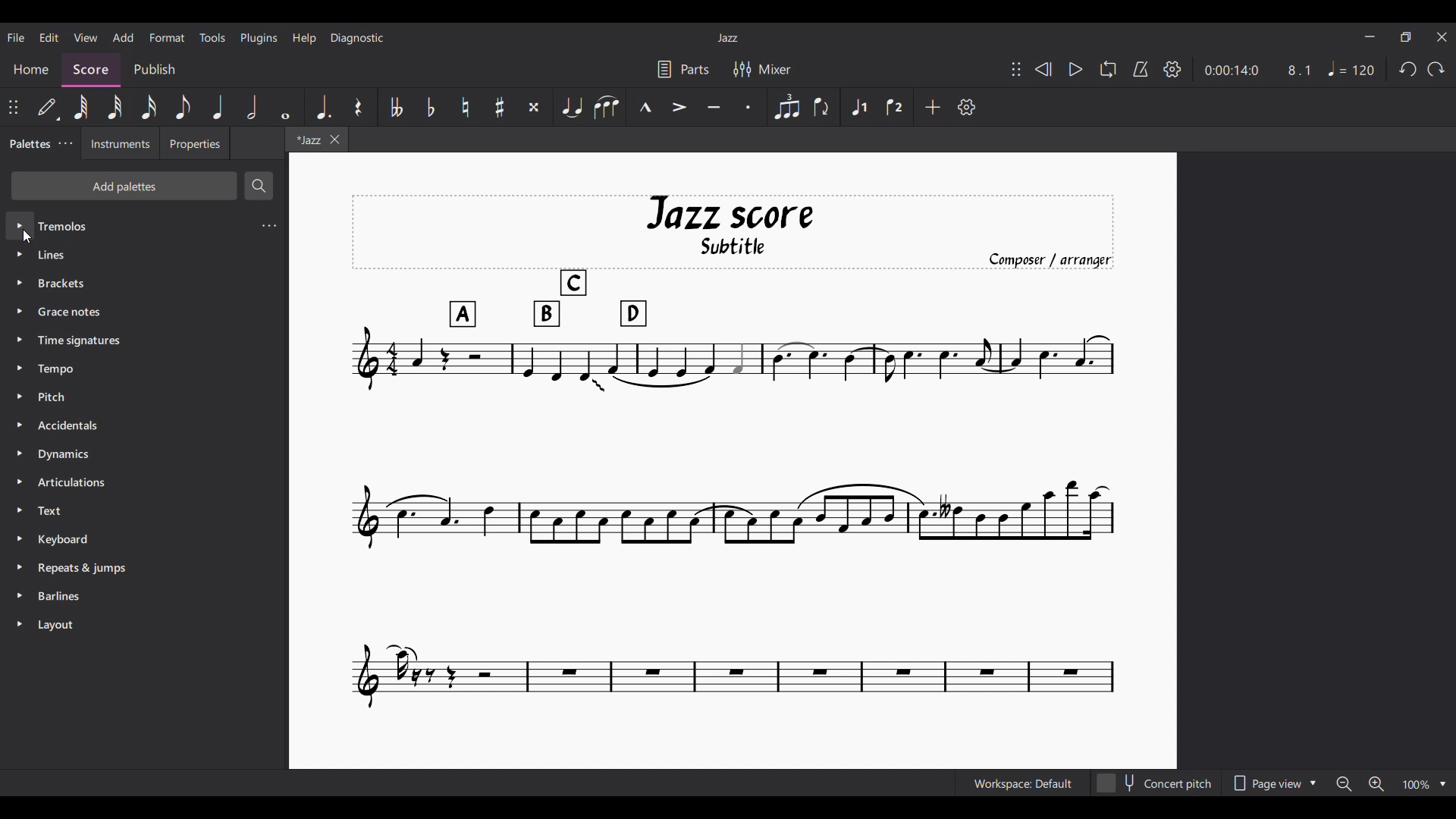  I want to click on Toggle natural, so click(466, 107).